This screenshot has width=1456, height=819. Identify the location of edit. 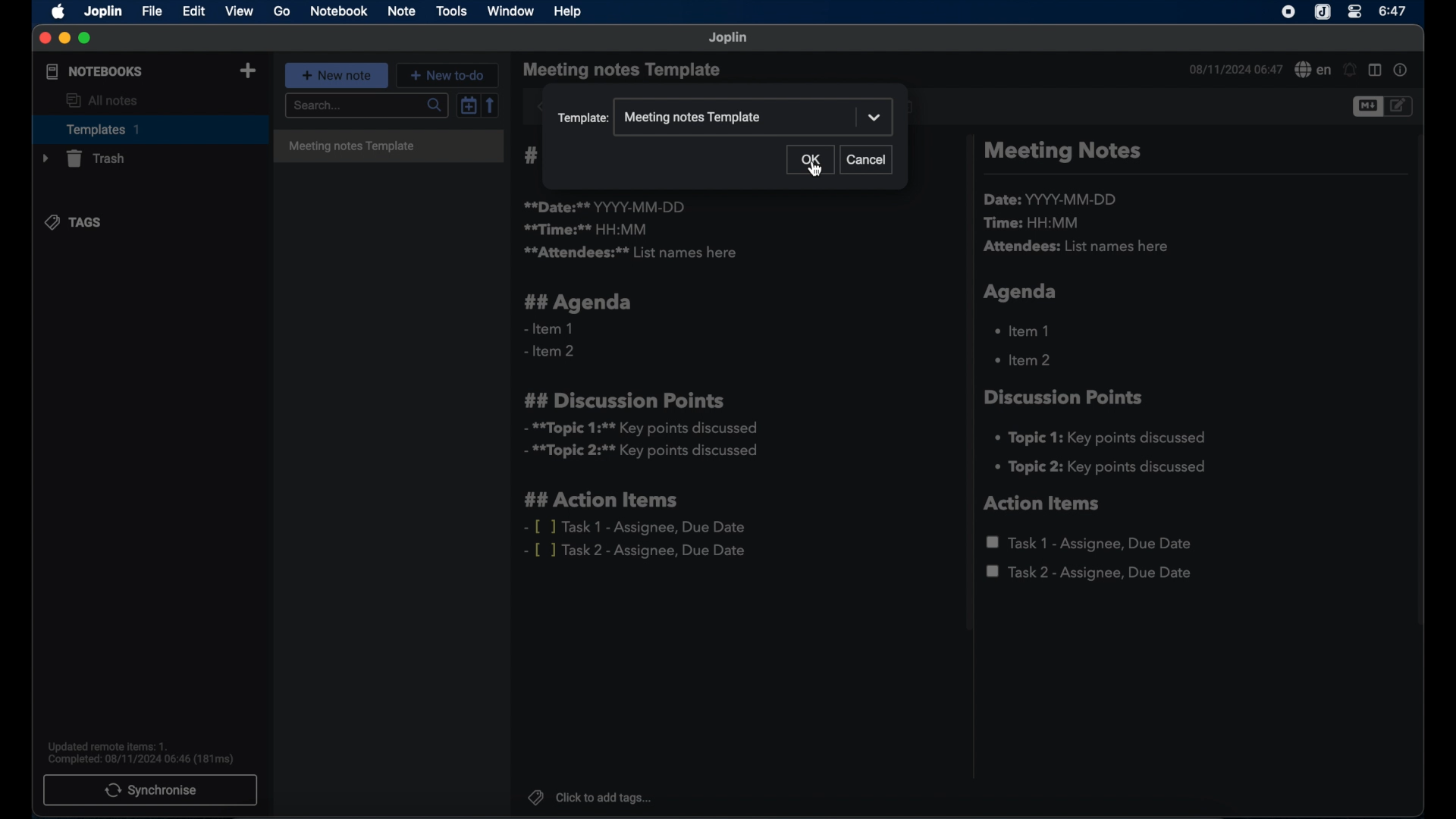
(193, 11).